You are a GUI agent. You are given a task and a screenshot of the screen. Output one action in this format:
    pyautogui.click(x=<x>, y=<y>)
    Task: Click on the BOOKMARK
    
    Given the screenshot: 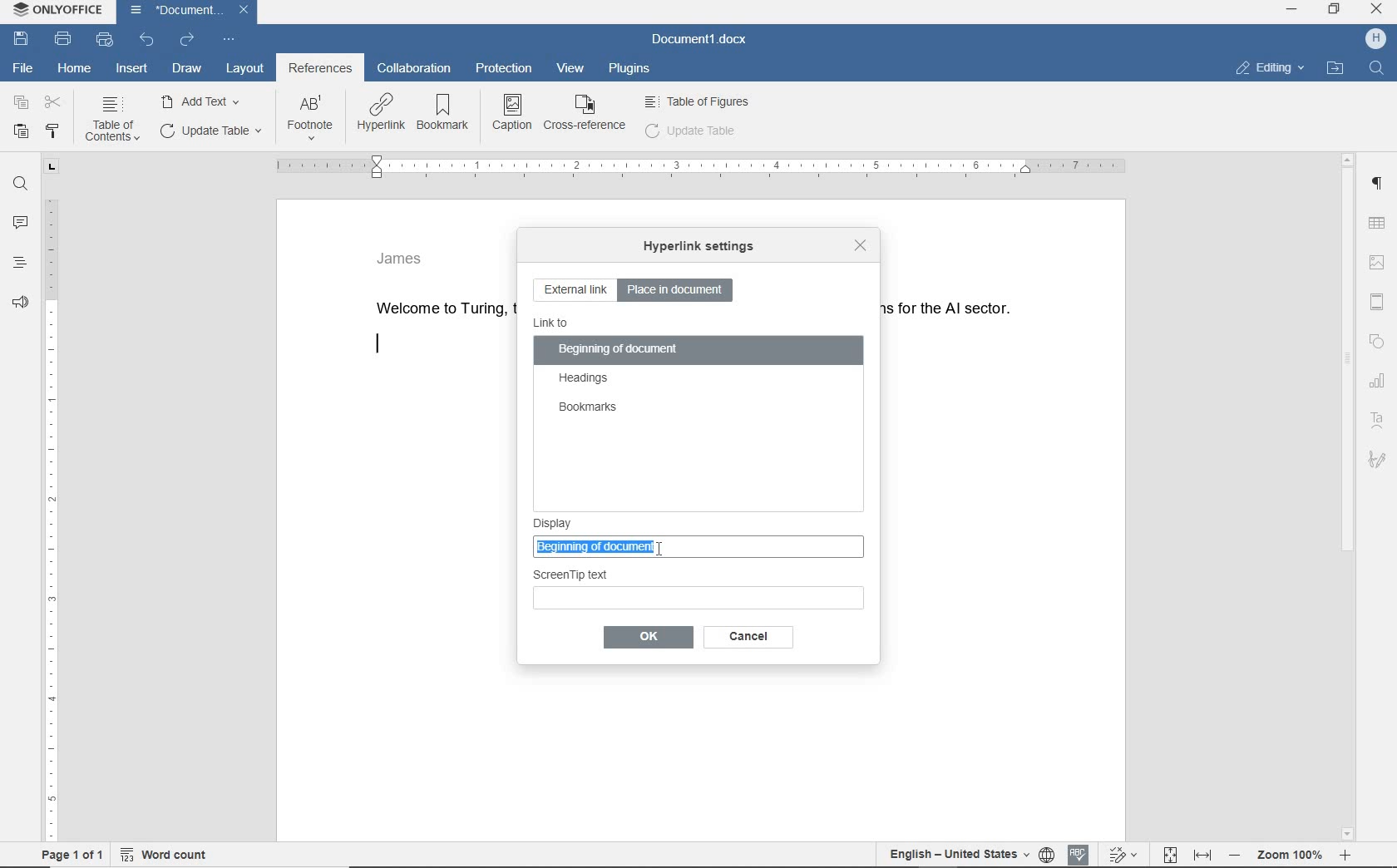 What is the action you would take?
    pyautogui.click(x=447, y=113)
    